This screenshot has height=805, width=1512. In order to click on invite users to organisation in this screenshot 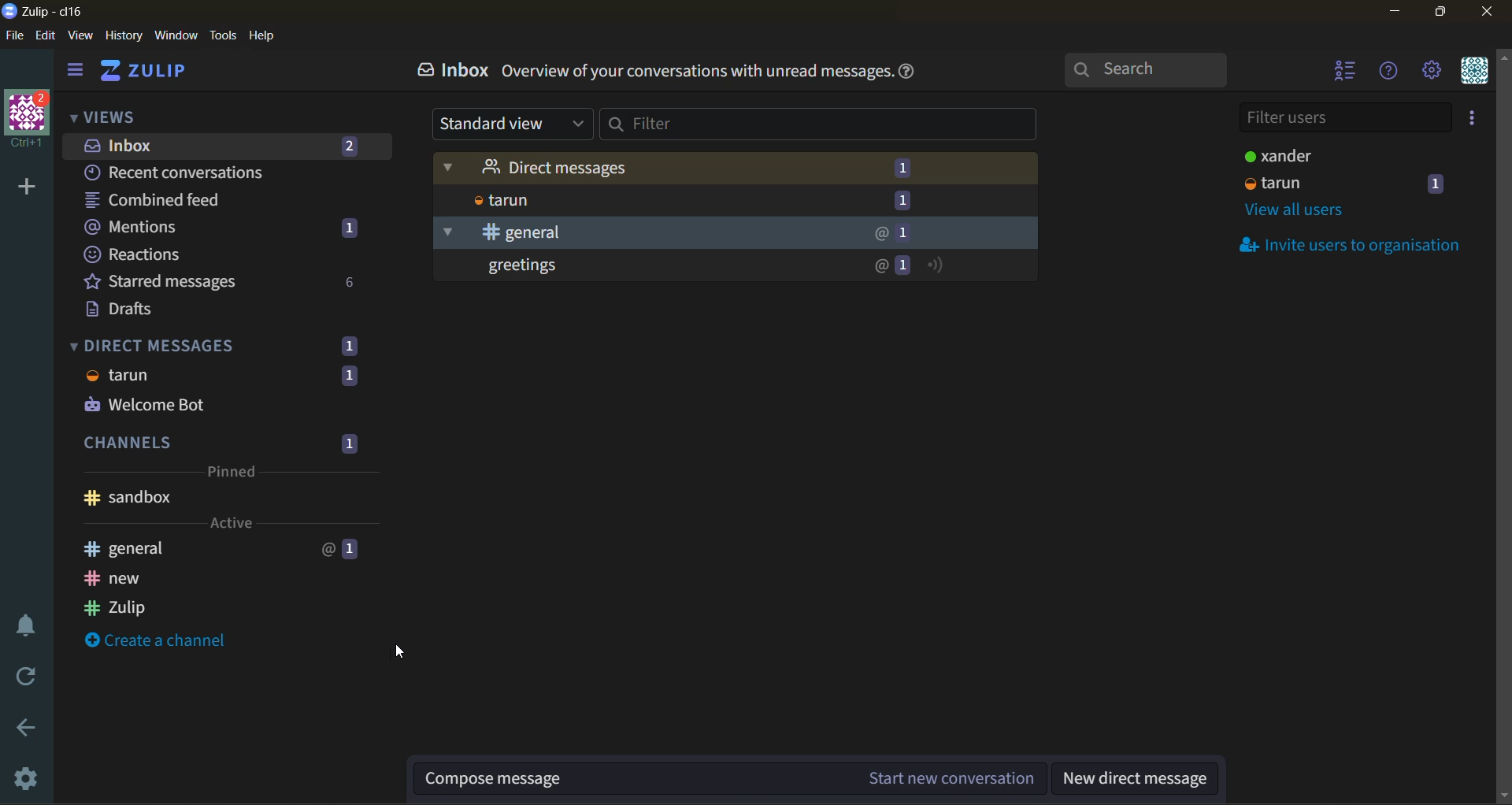, I will do `click(1469, 121)`.